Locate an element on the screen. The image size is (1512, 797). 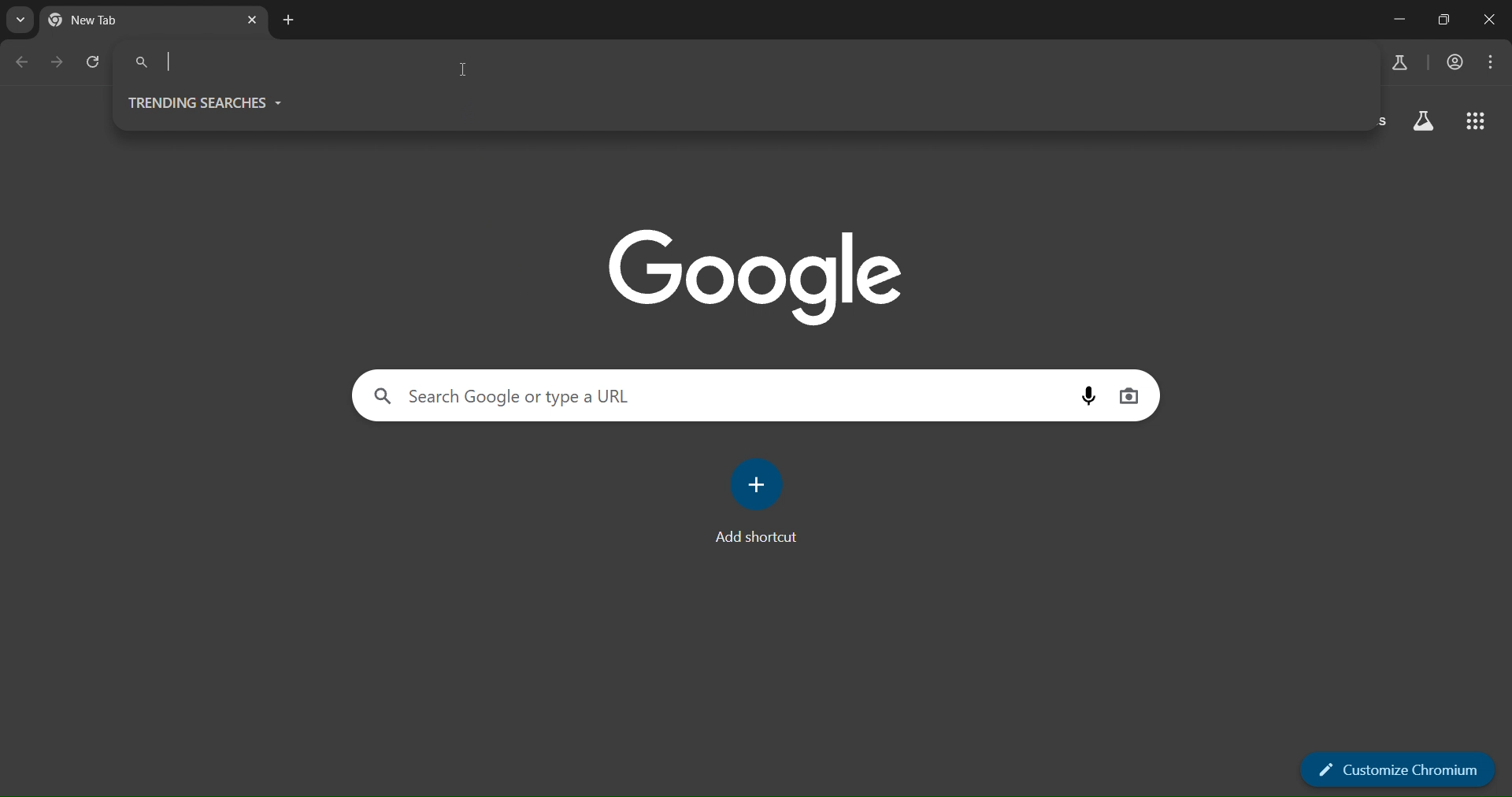
minimize is located at coordinates (1400, 19).